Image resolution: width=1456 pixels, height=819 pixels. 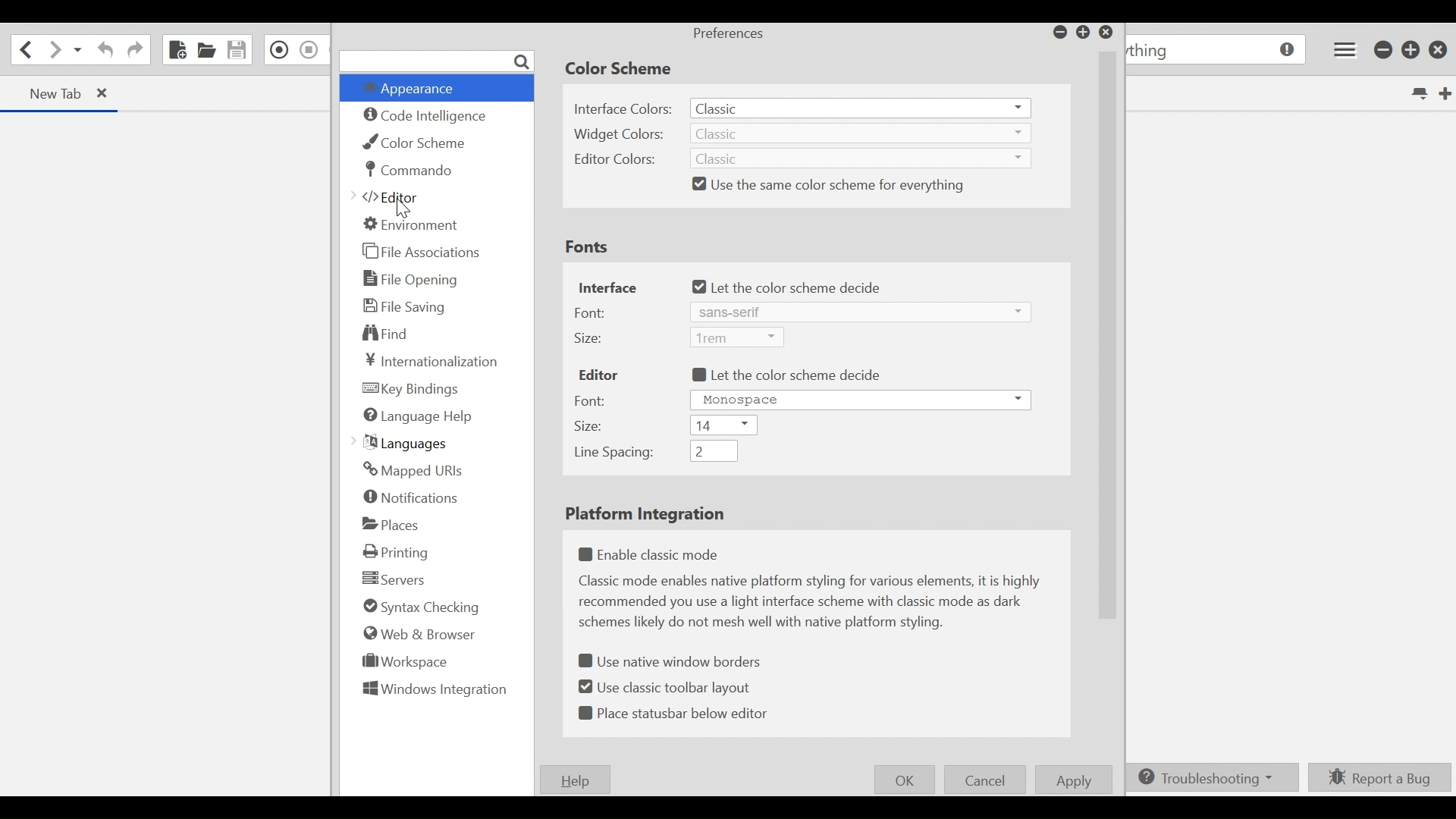 I want to click on Recording in Macro, so click(x=278, y=50).